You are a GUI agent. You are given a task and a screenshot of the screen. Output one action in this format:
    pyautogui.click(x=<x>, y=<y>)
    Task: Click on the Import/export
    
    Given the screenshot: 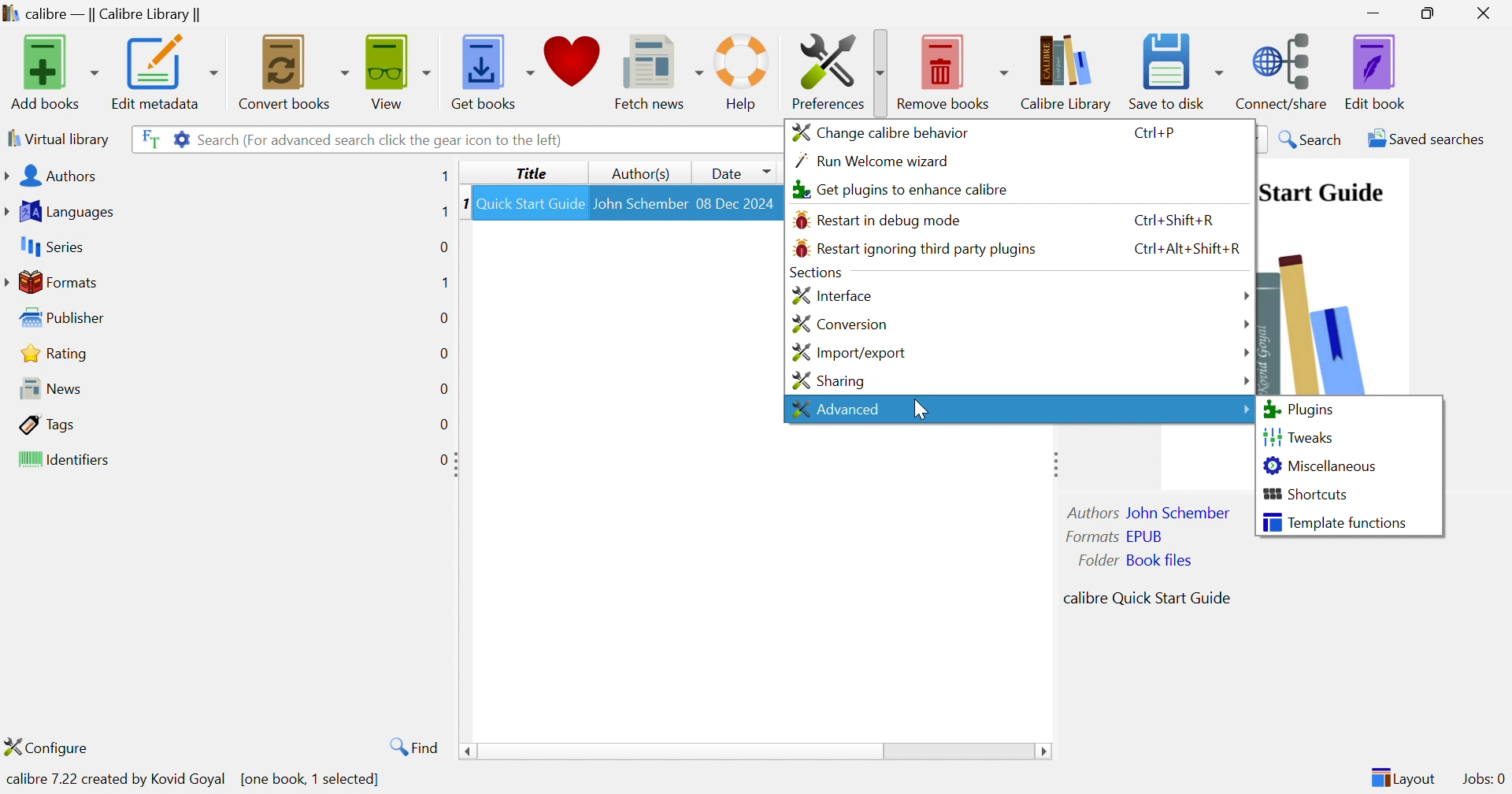 What is the action you would take?
    pyautogui.click(x=847, y=353)
    